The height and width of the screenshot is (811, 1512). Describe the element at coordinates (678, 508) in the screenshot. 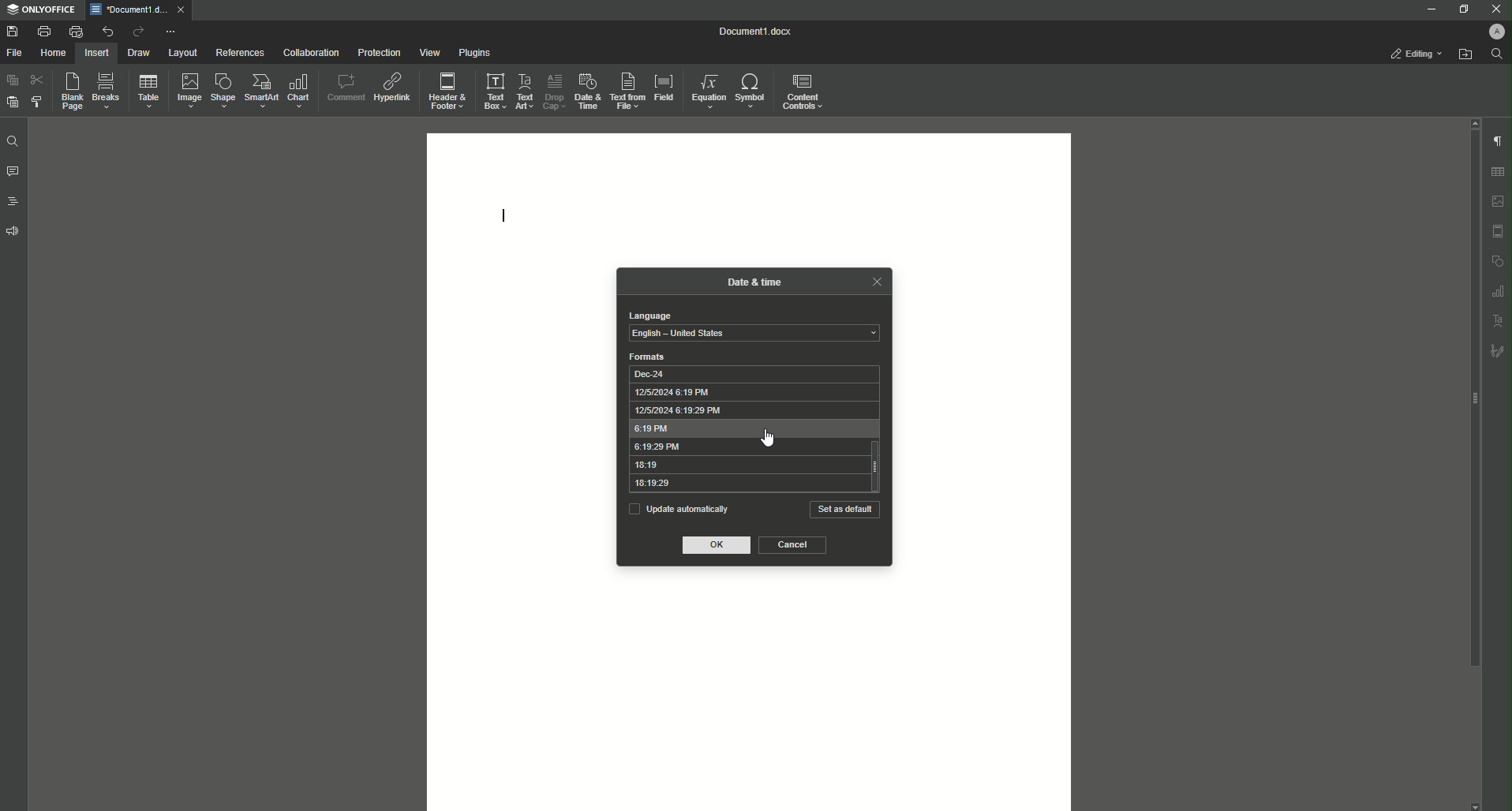

I see `Update automatically` at that location.